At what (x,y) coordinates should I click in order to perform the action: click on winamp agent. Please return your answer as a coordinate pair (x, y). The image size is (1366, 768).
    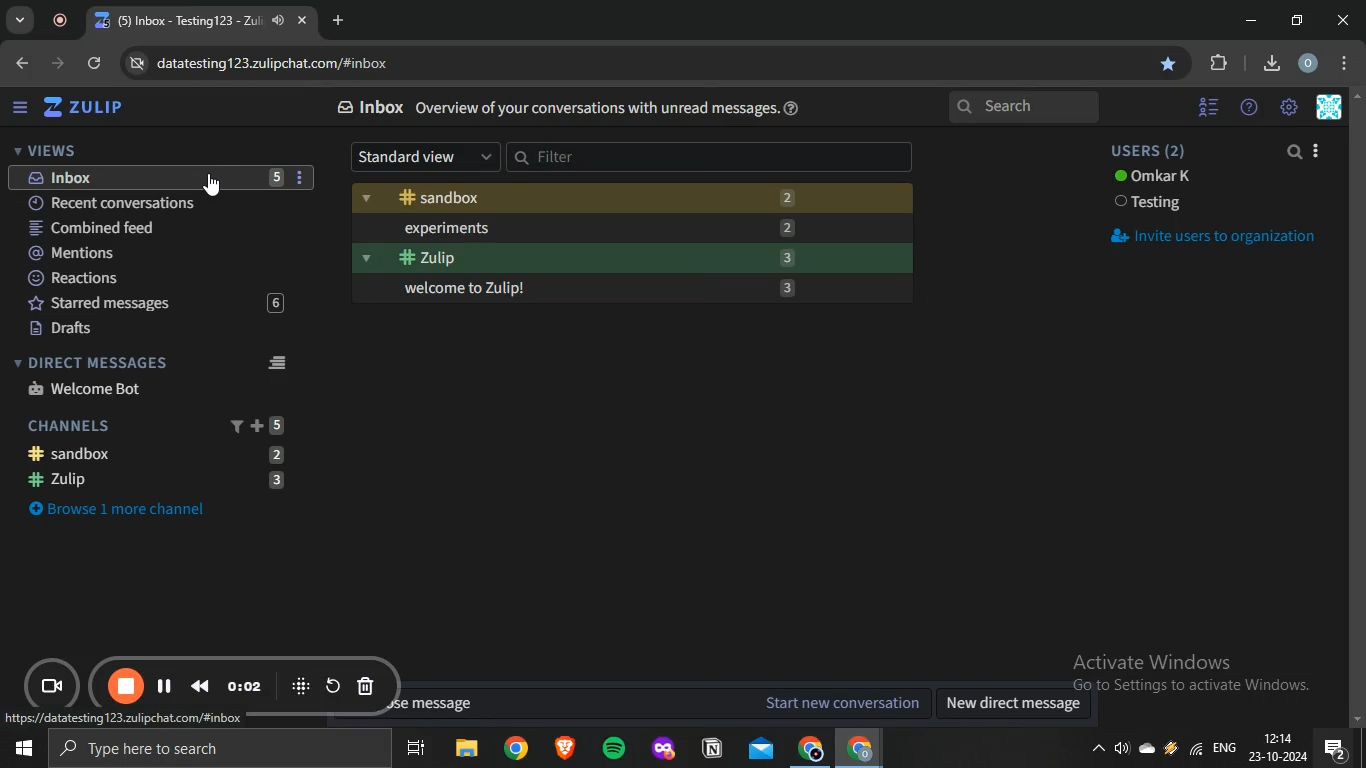
    Looking at the image, I should click on (1171, 753).